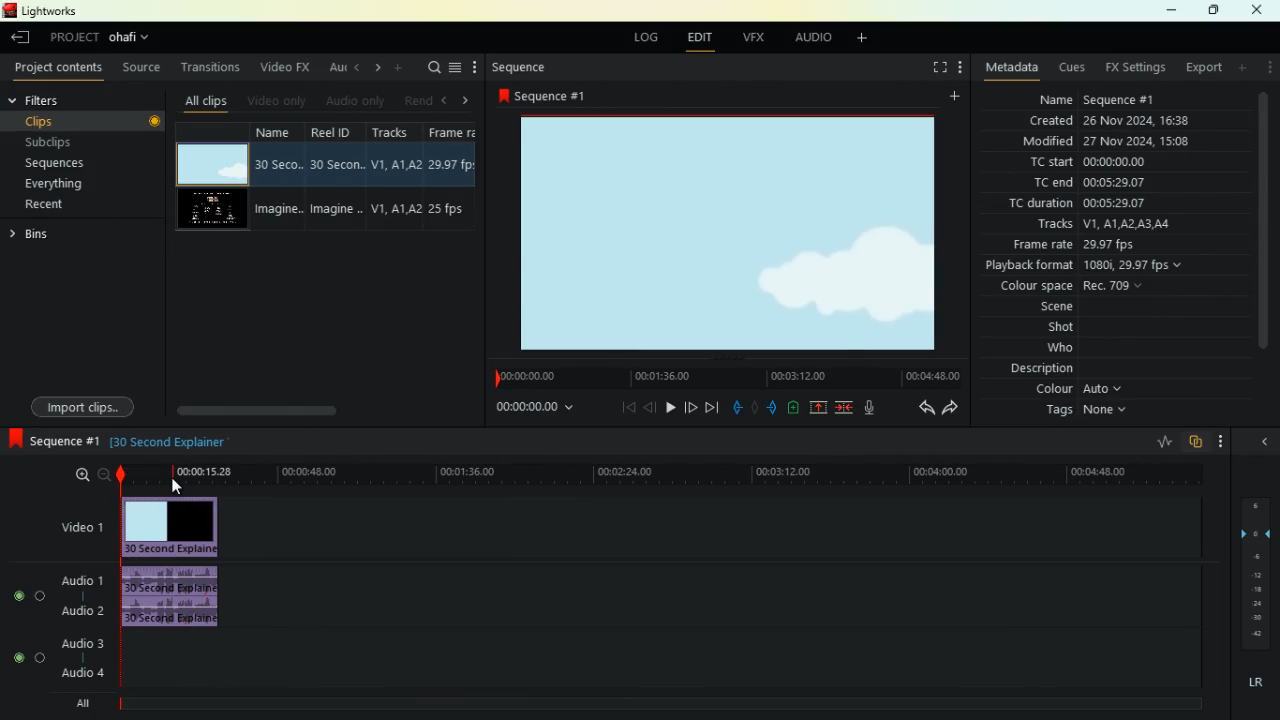 This screenshot has width=1280, height=720. What do you see at coordinates (1116, 285) in the screenshot?
I see ` Rec. 709 ` at bounding box center [1116, 285].